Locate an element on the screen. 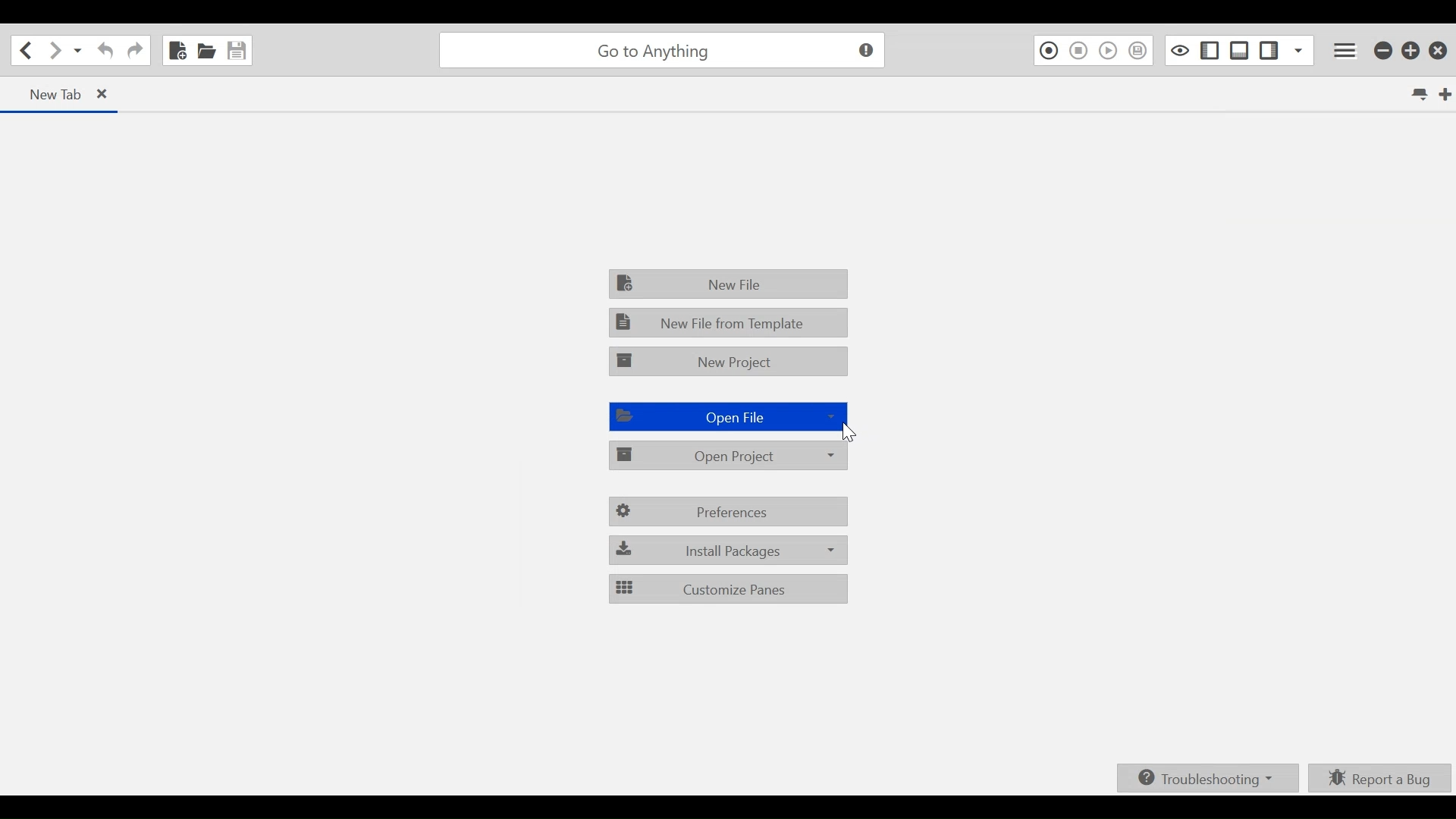 The image size is (1456, 819). List all tabs is located at coordinates (1423, 96).